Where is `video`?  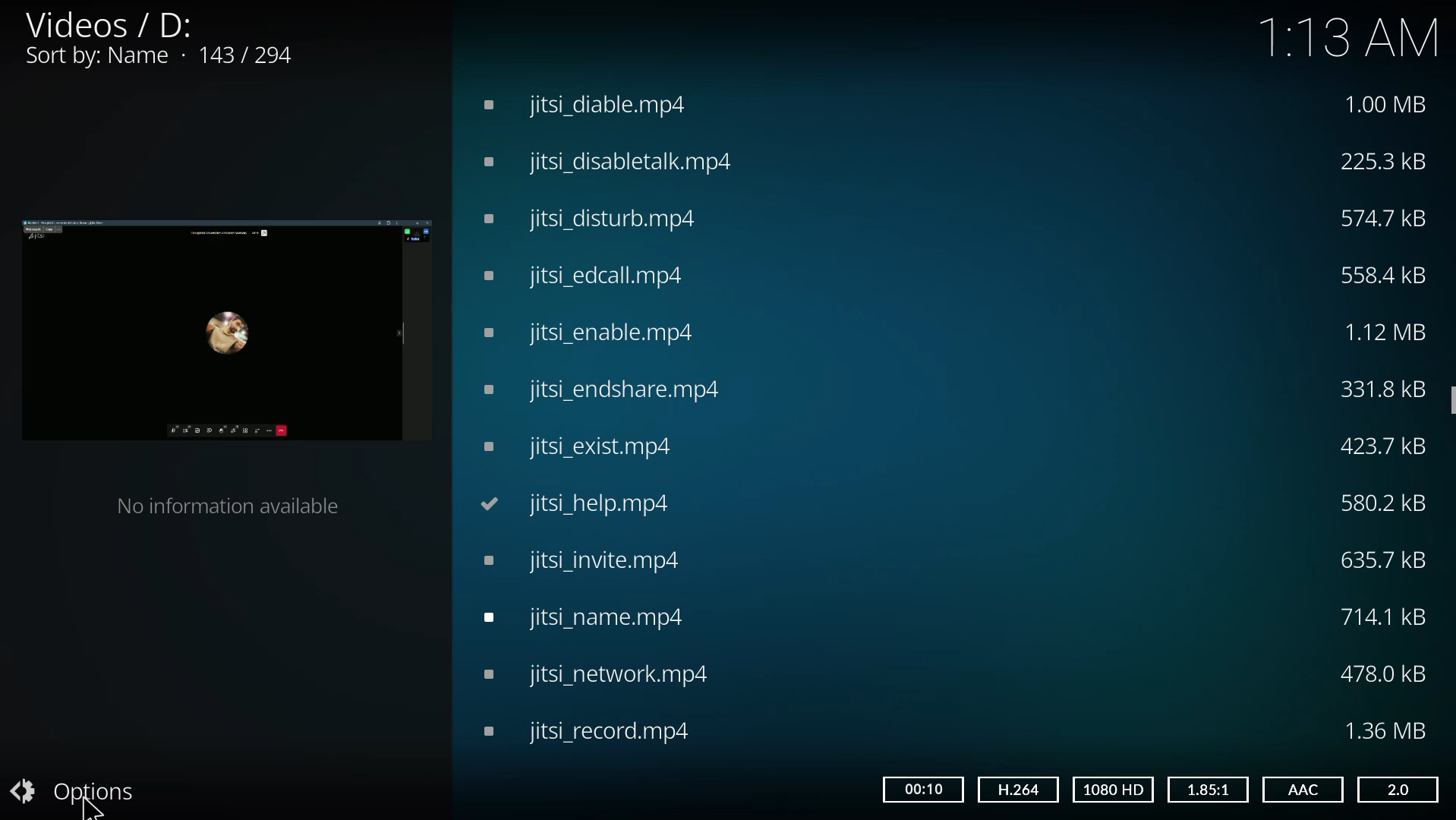 video is located at coordinates (573, 449).